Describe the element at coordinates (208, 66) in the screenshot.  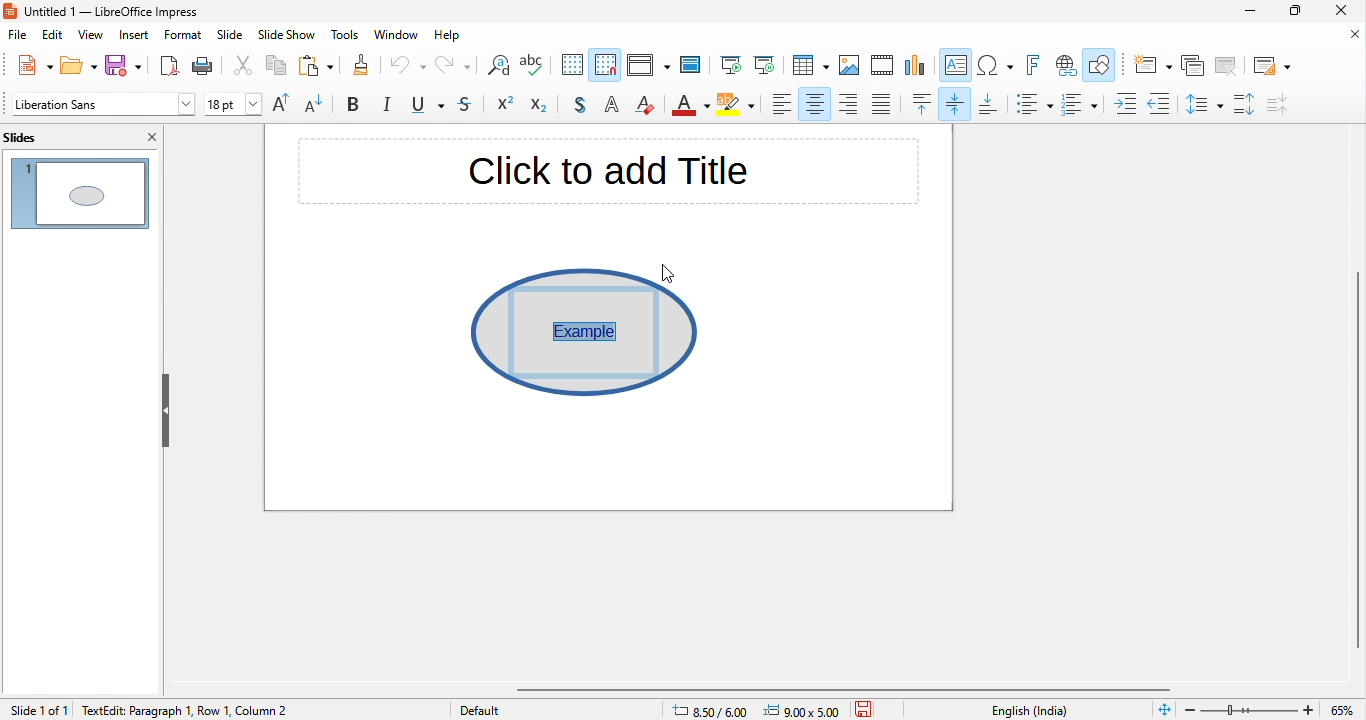
I see `print` at that location.